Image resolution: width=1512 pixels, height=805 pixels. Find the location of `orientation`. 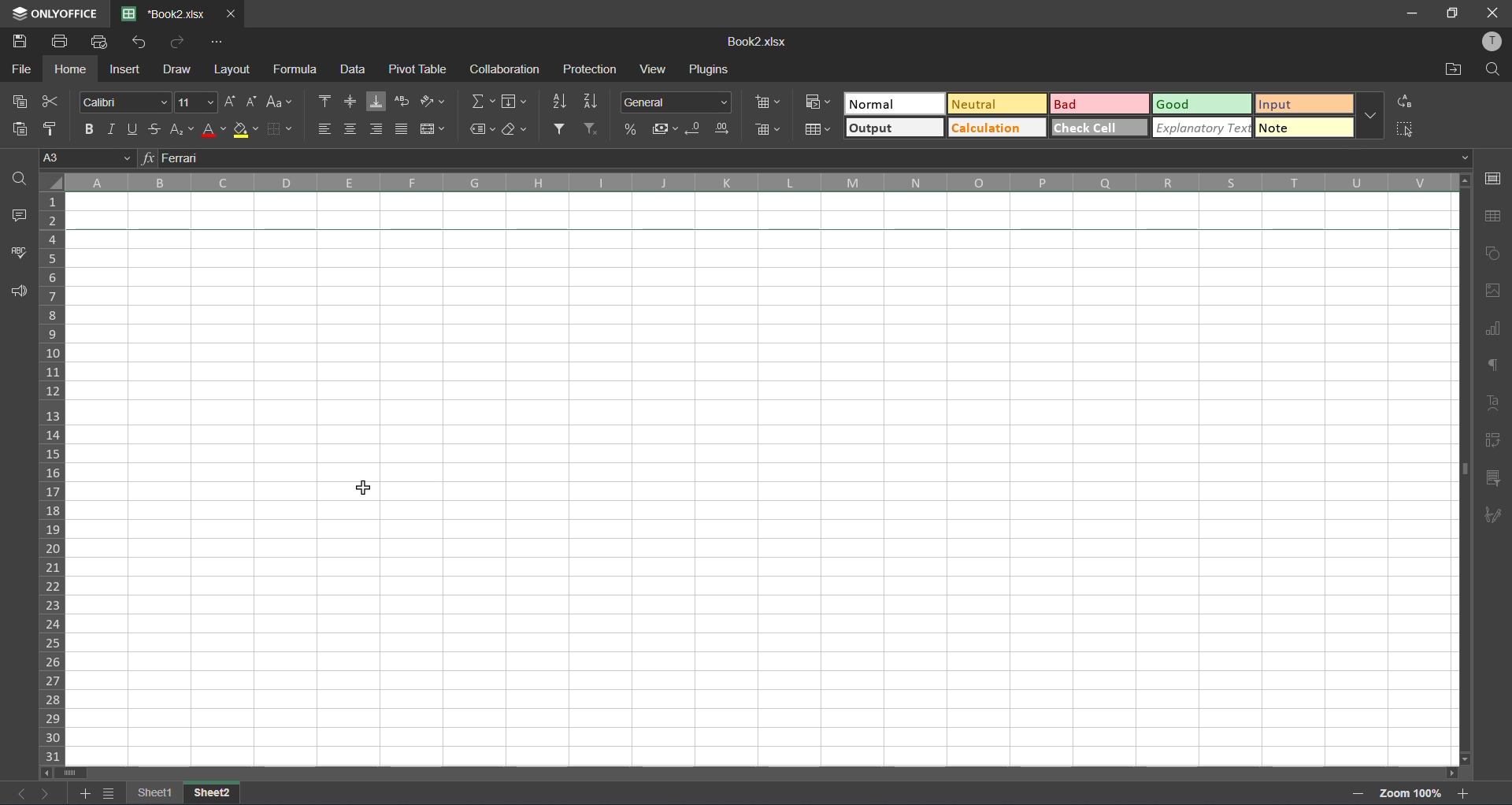

orientation is located at coordinates (432, 101).